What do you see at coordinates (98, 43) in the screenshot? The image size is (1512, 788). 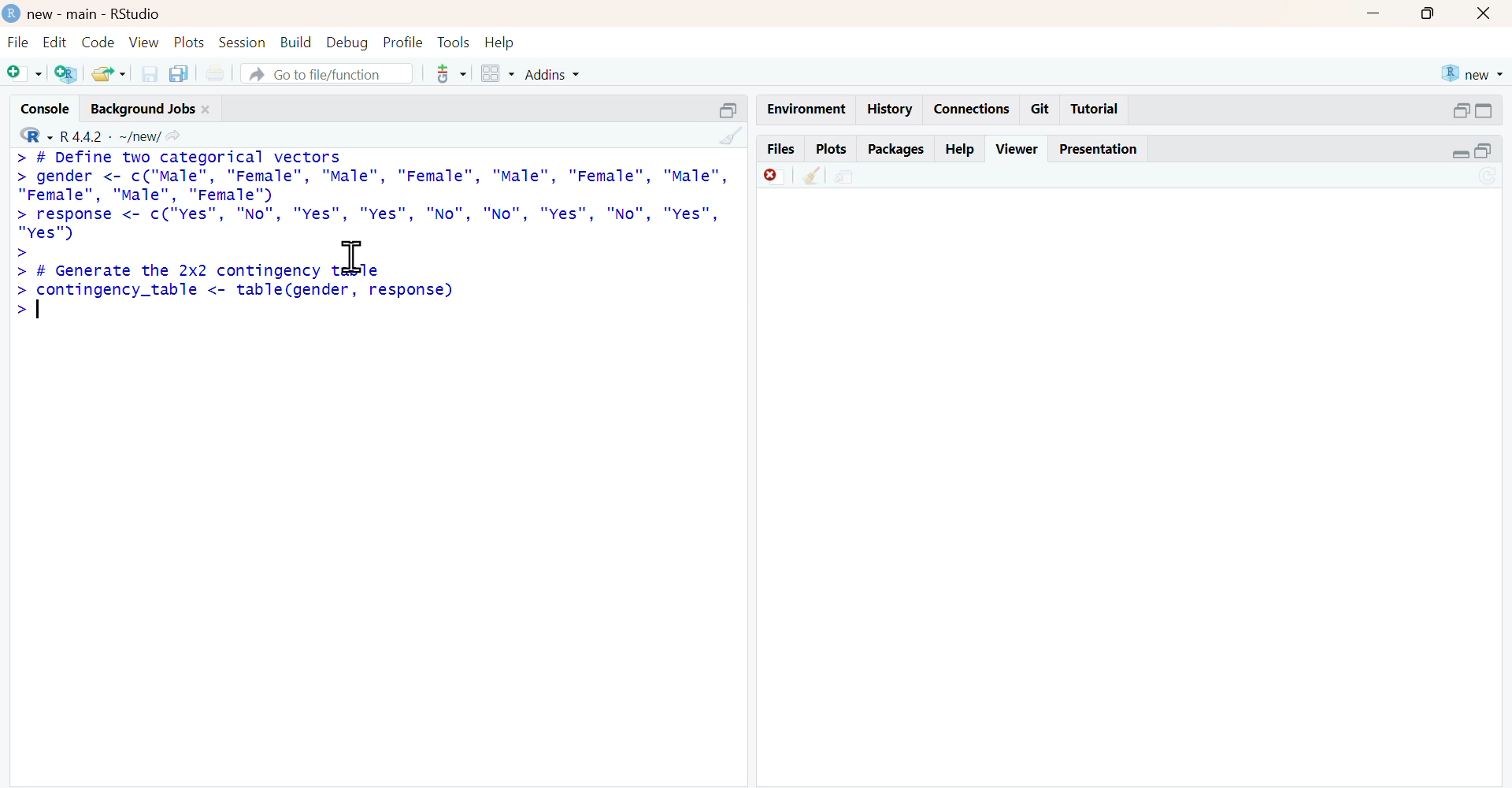 I see `code` at bounding box center [98, 43].